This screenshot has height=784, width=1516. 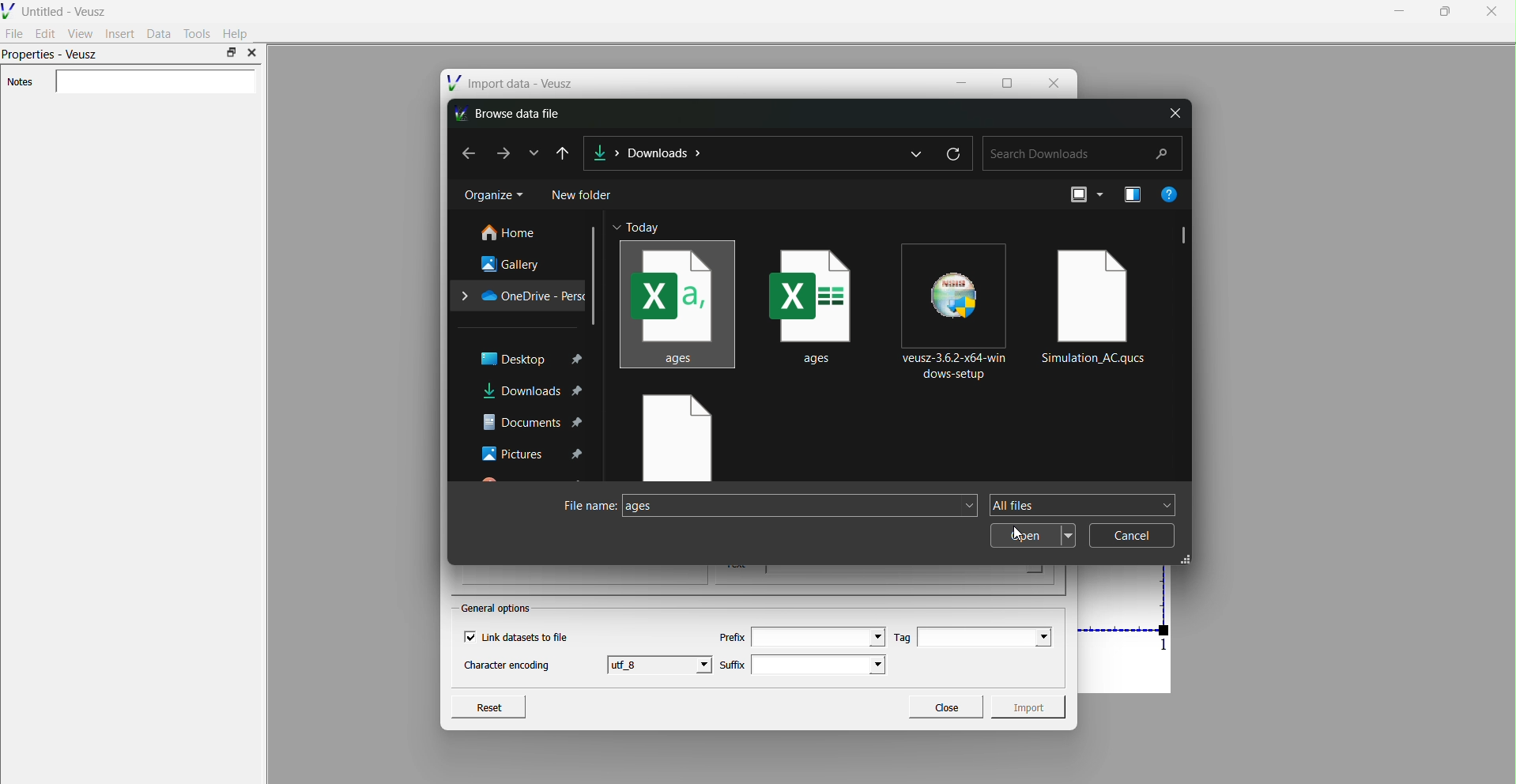 What do you see at coordinates (1025, 534) in the screenshot?
I see `cursor` at bounding box center [1025, 534].